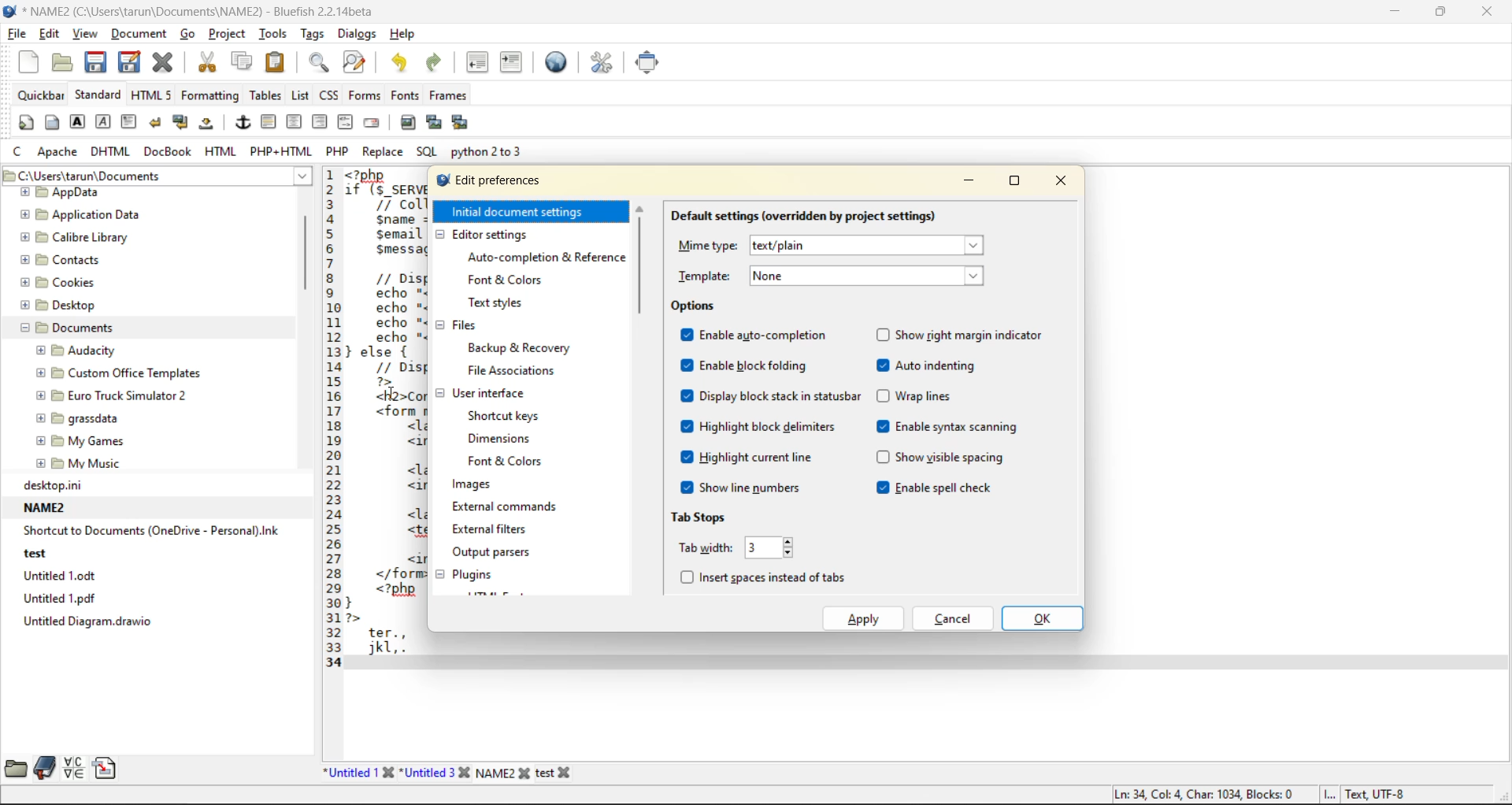 The height and width of the screenshot is (805, 1512). What do you see at coordinates (63, 258) in the screenshot?
I see ` Contacts` at bounding box center [63, 258].